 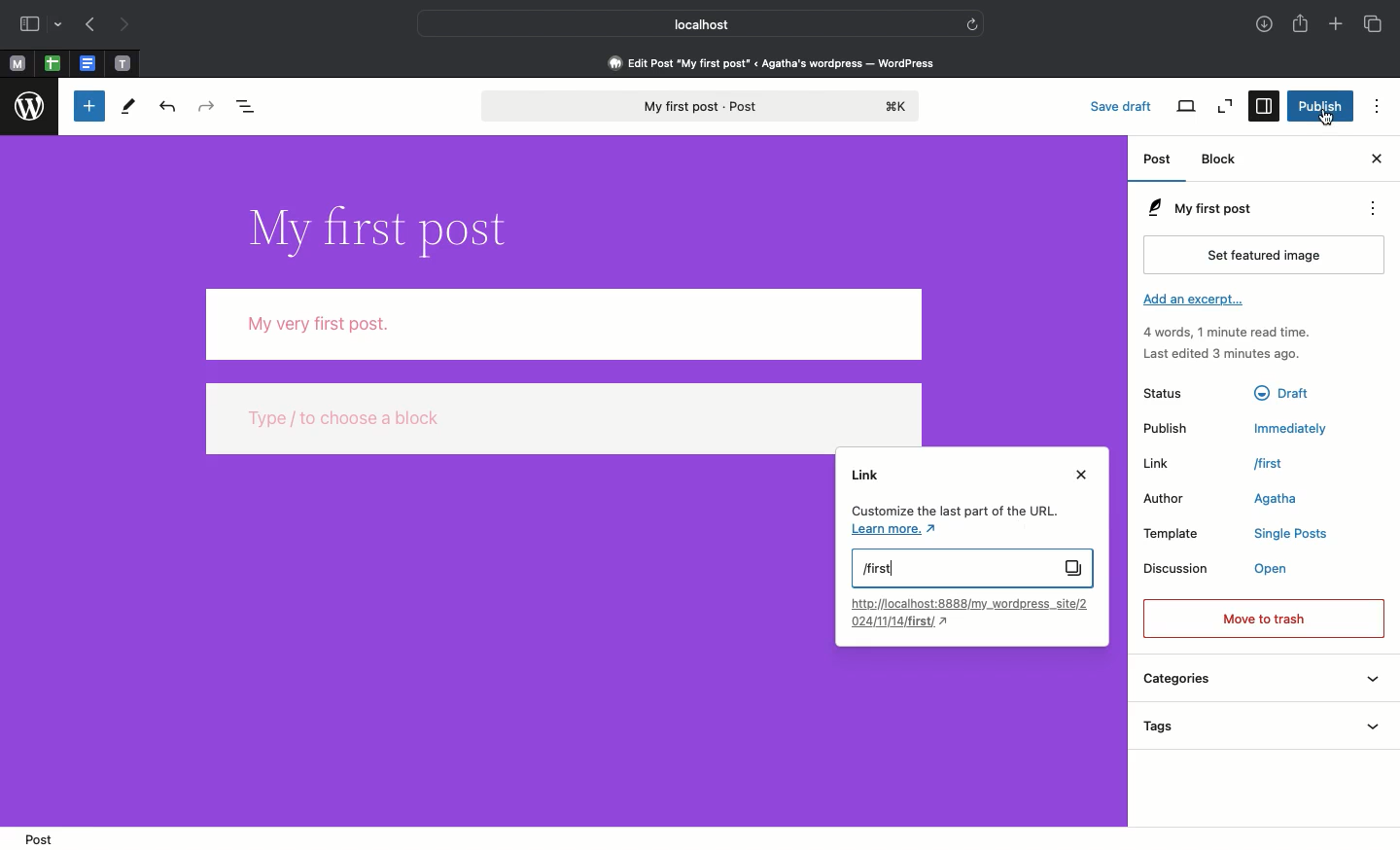 I want to click on Draft, so click(x=1286, y=393).